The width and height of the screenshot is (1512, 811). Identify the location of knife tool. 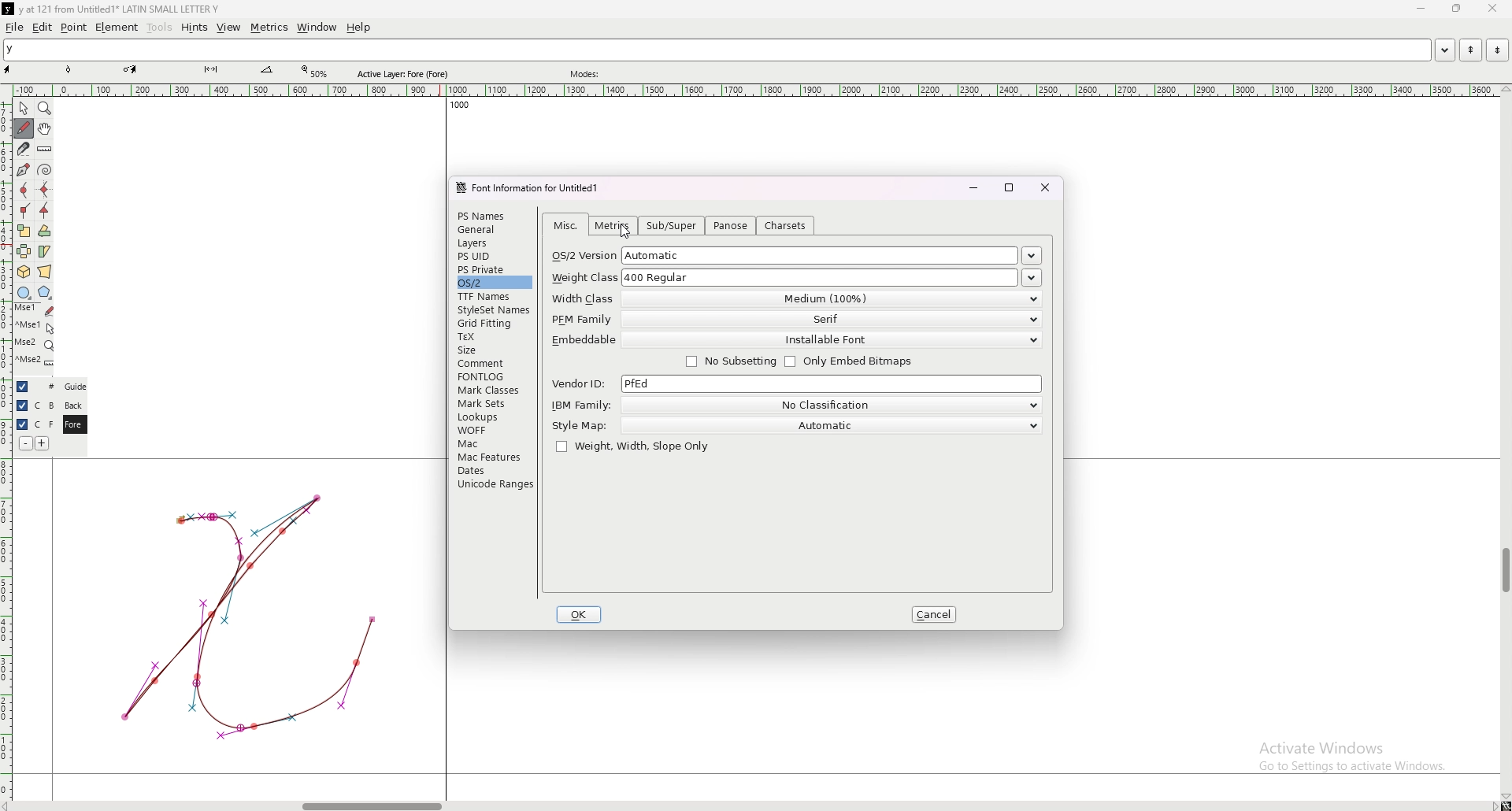
(209, 70).